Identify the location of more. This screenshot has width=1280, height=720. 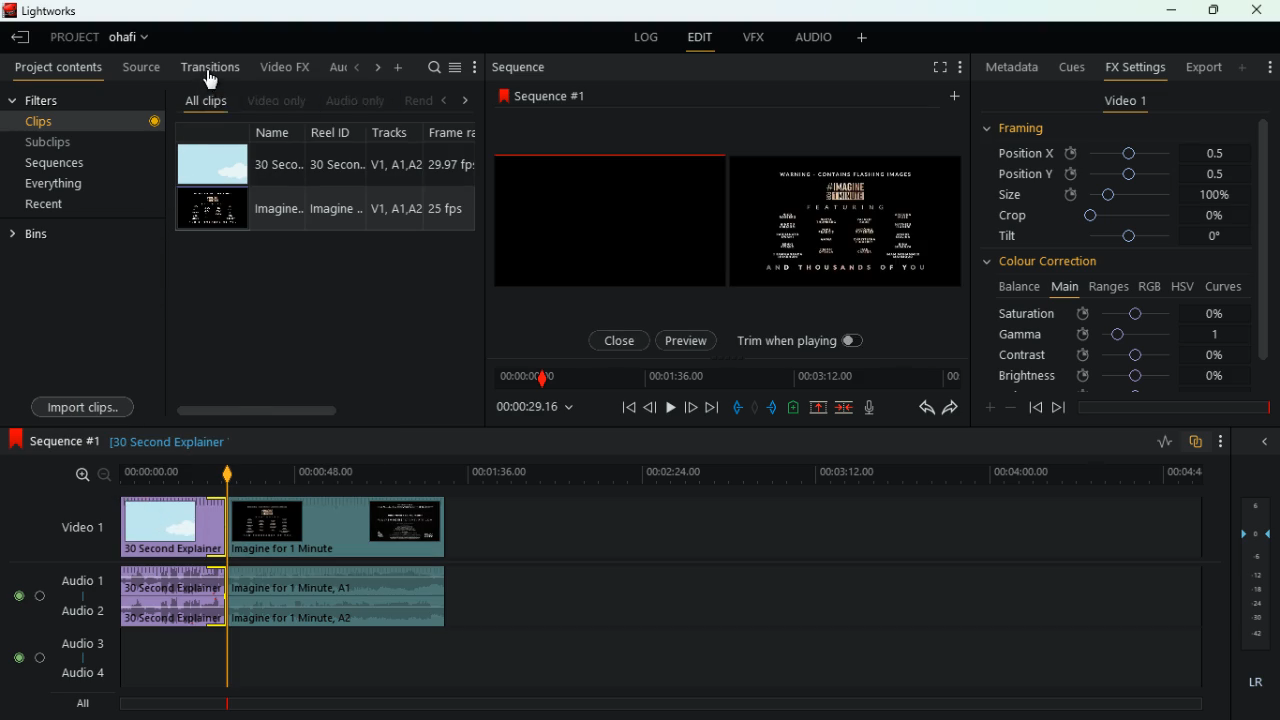
(866, 39).